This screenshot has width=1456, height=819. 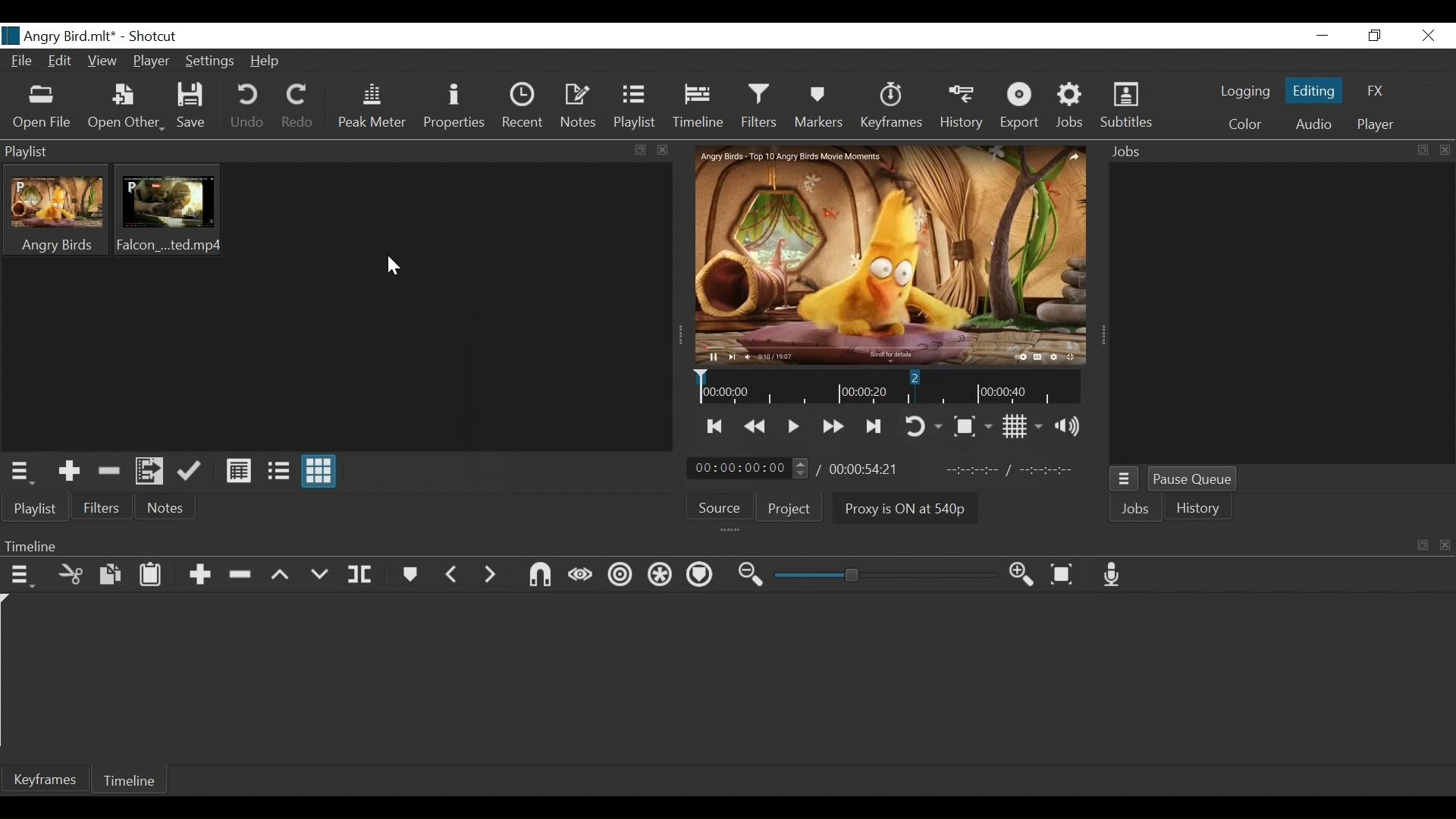 What do you see at coordinates (700, 576) in the screenshot?
I see `Ripple Marker` at bounding box center [700, 576].